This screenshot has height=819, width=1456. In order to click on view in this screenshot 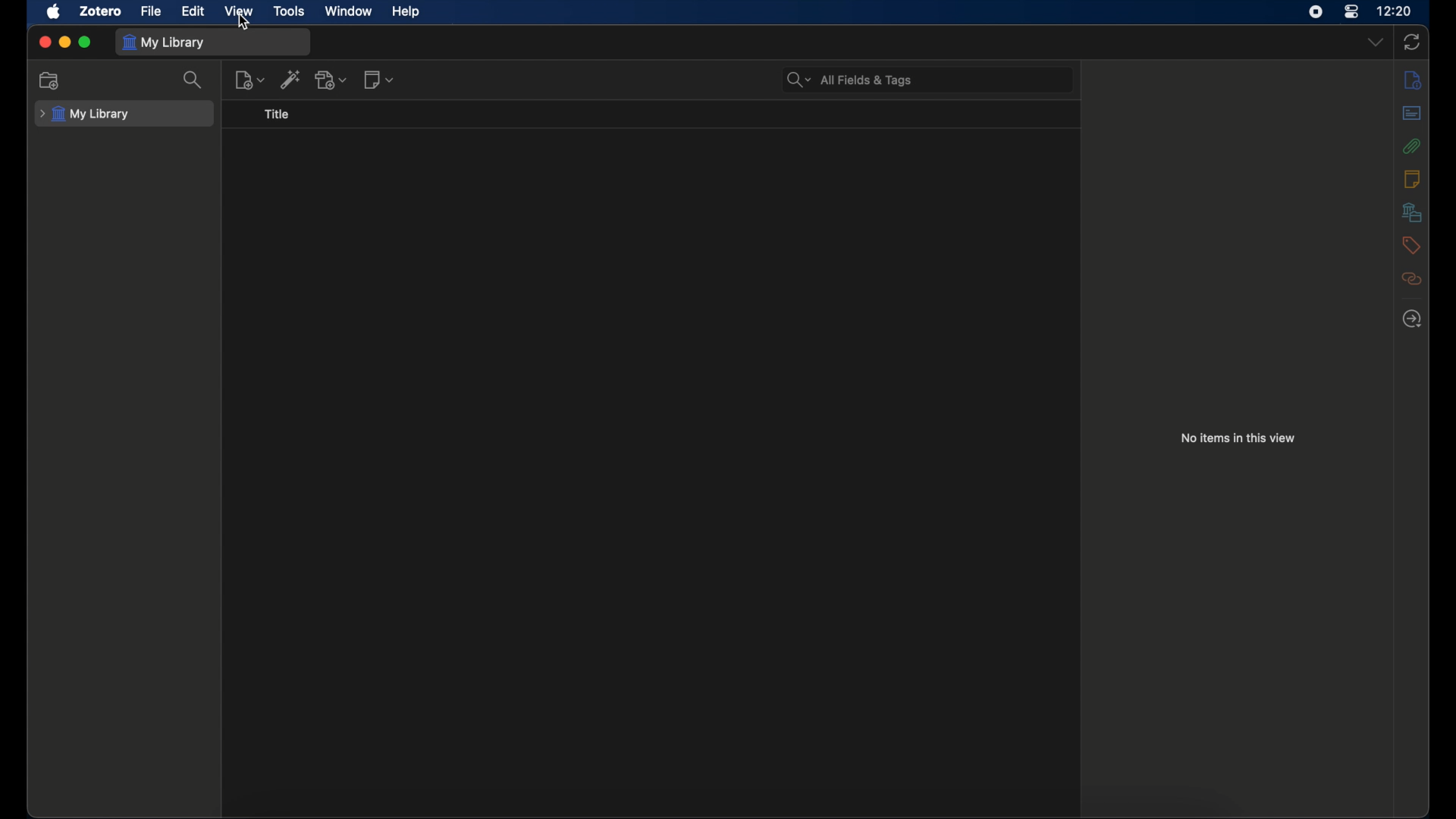, I will do `click(240, 11)`.